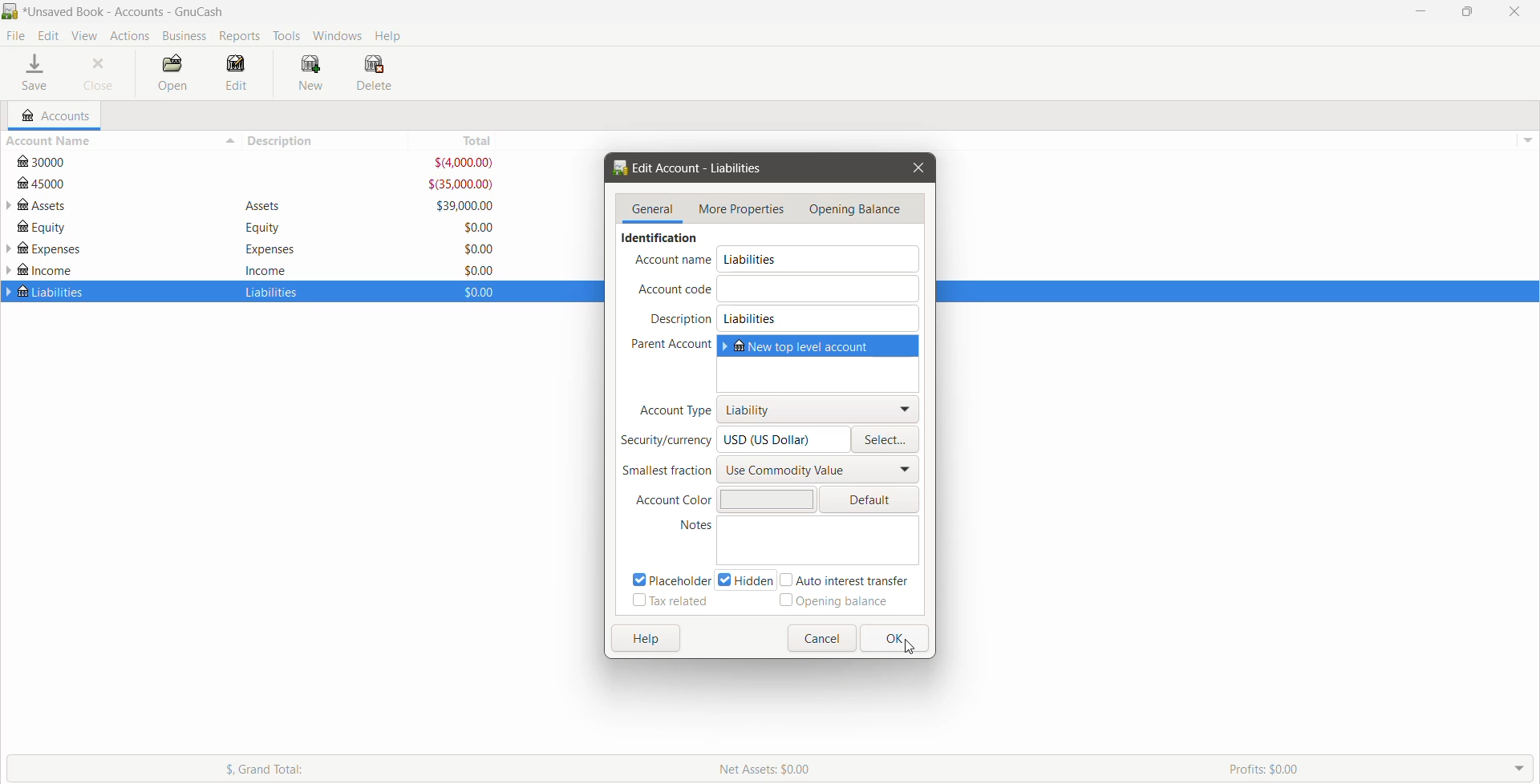 This screenshot has height=784, width=1540. Describe the element at coordinates (391, 34) in the screenshot. I see `Help` at that location.